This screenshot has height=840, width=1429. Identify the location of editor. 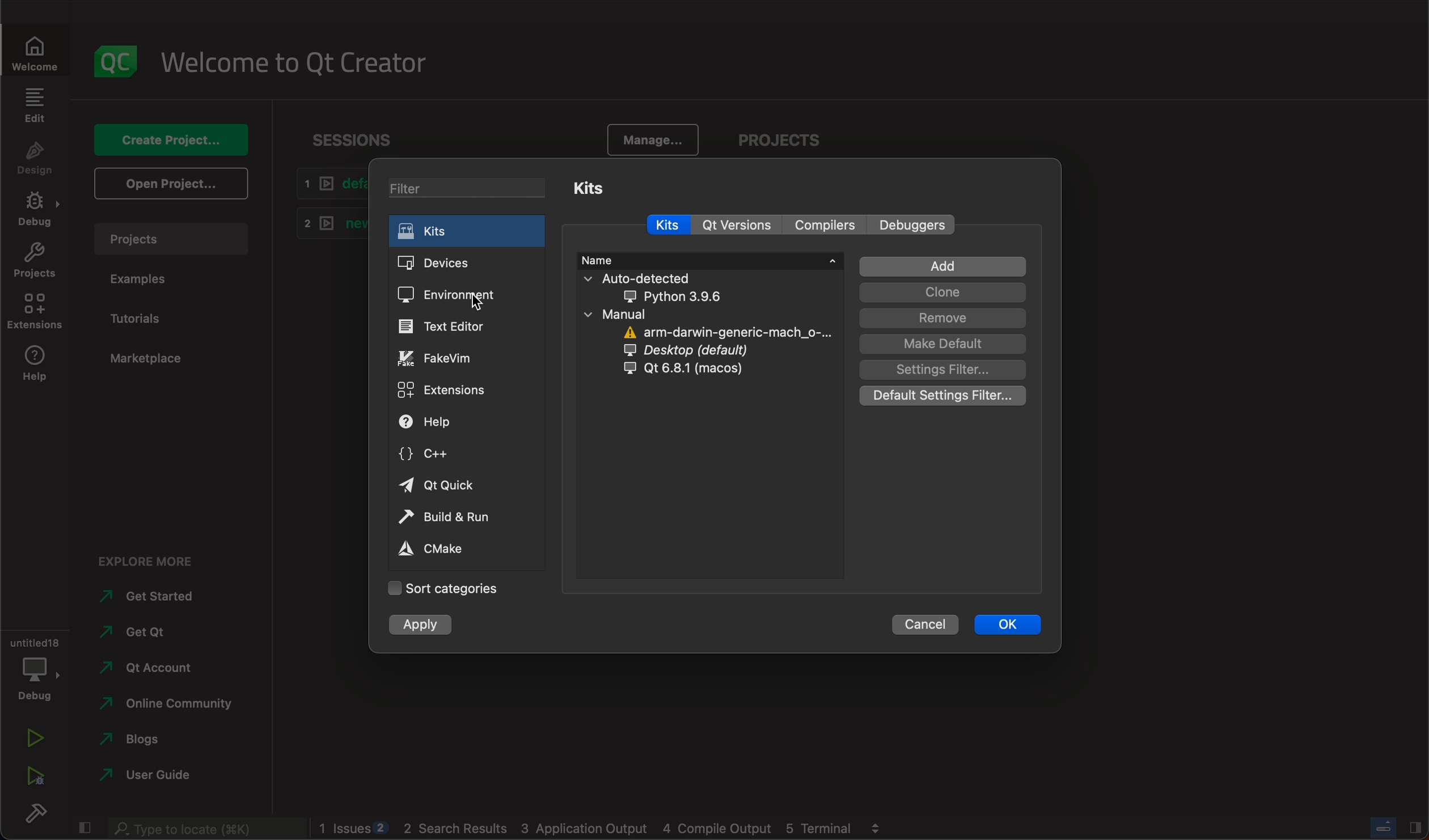
(449, 328).